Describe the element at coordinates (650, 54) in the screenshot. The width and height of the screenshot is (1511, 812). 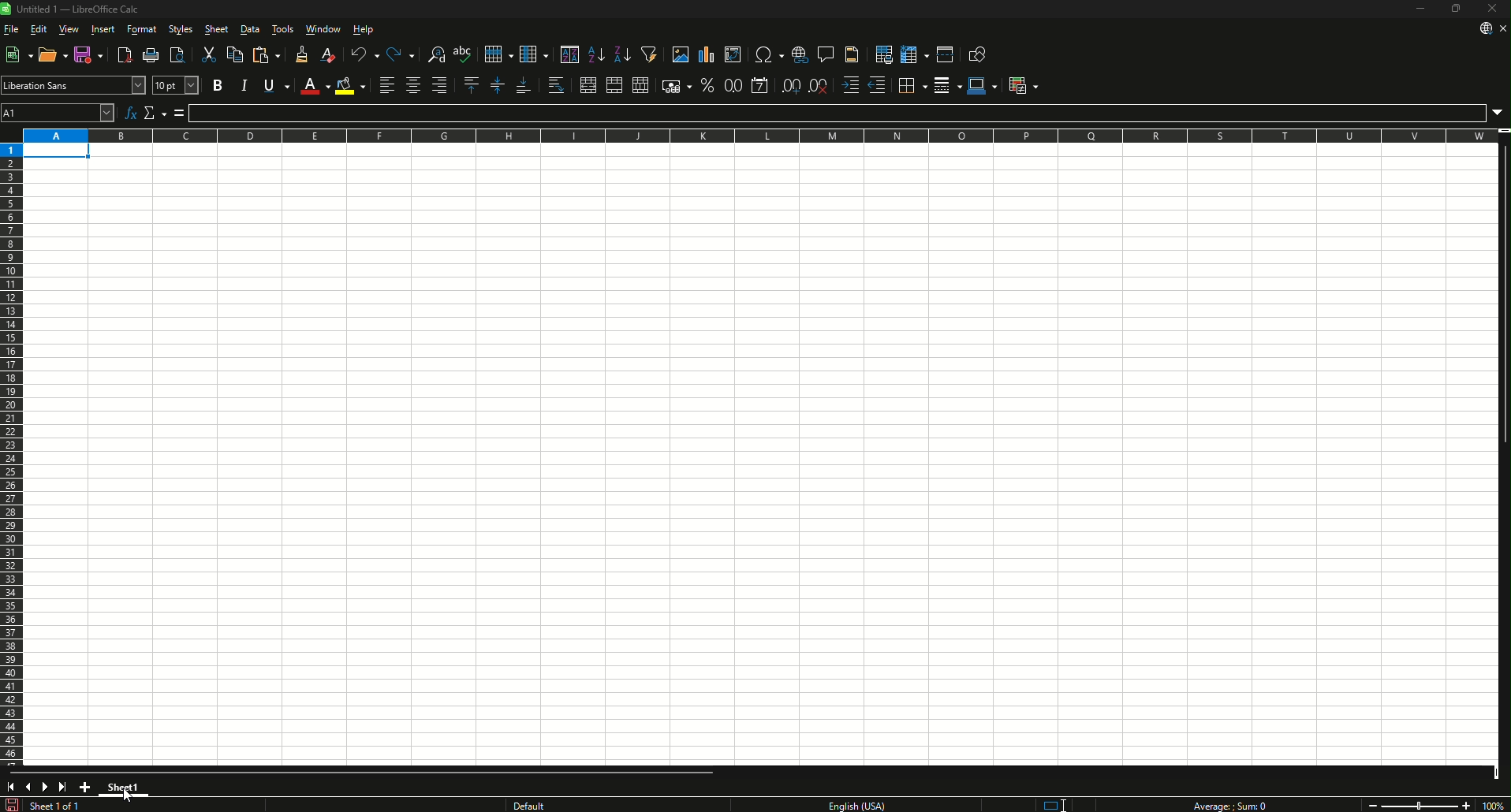
I see `Auto Filter` at that location.